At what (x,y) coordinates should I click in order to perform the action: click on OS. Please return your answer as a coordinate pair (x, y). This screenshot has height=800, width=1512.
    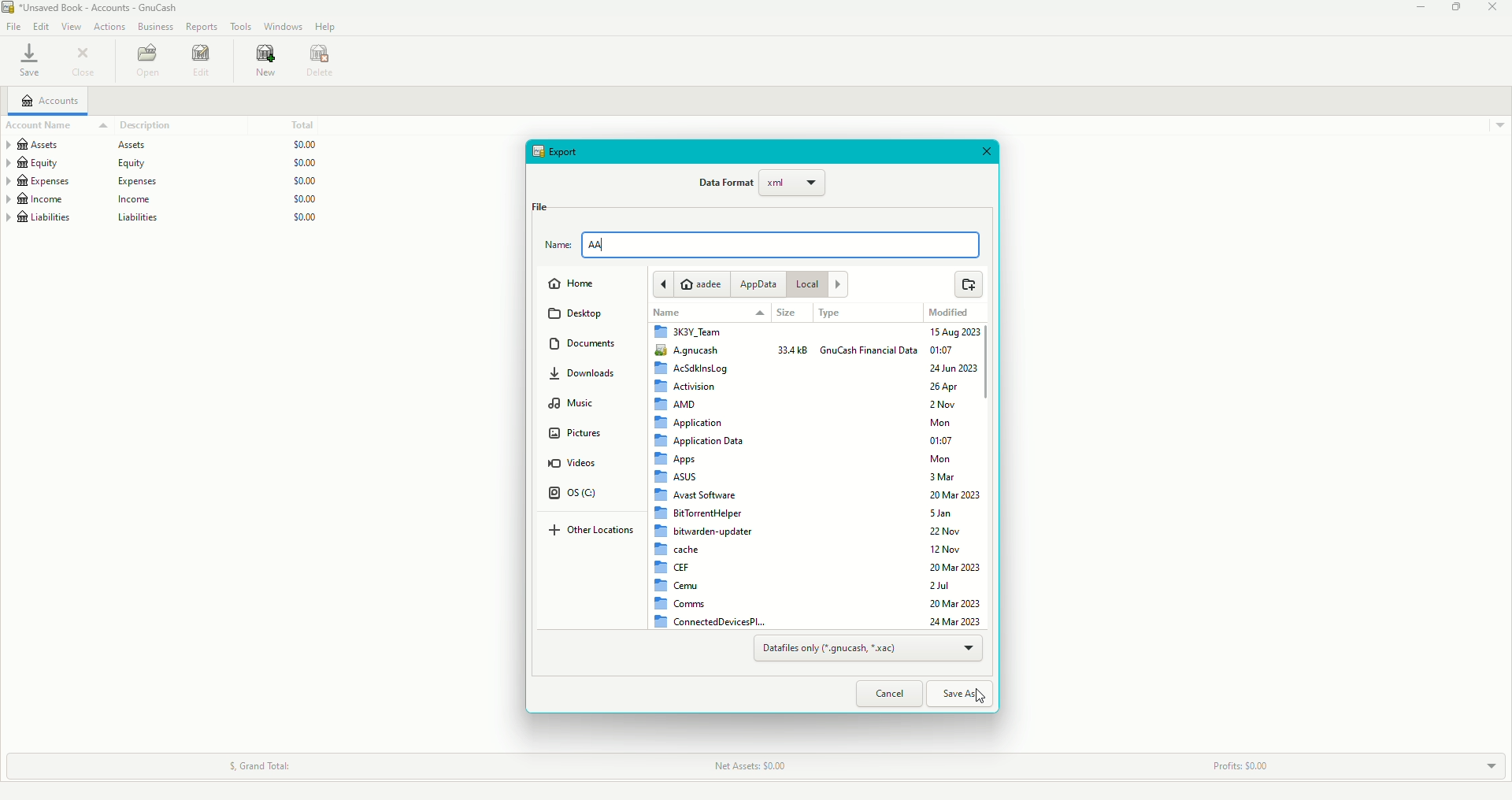
    Looking at the image, I should click on (578, 496).